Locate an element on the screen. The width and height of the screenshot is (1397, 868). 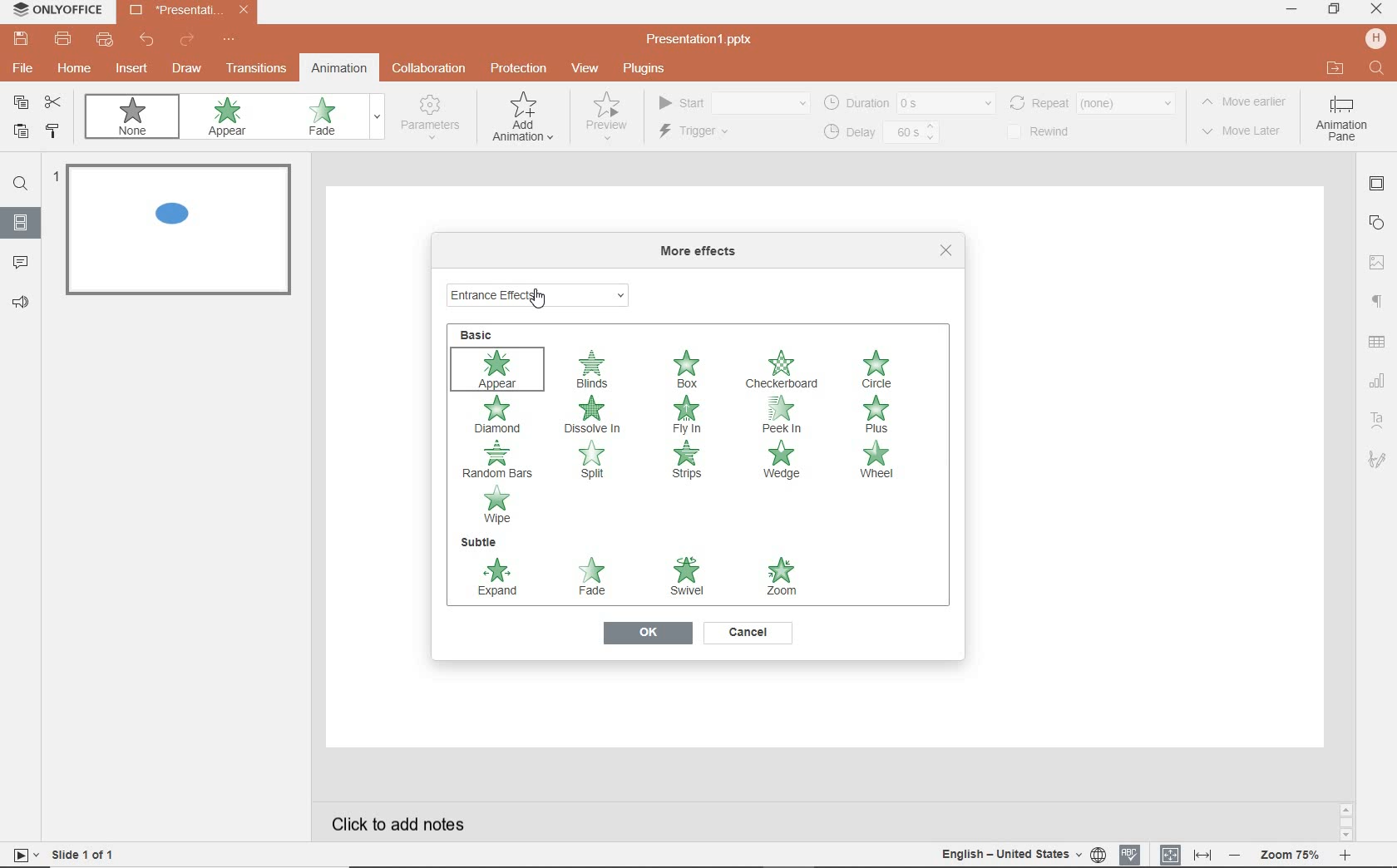
CANCEL is located at coordinates (748, 633).